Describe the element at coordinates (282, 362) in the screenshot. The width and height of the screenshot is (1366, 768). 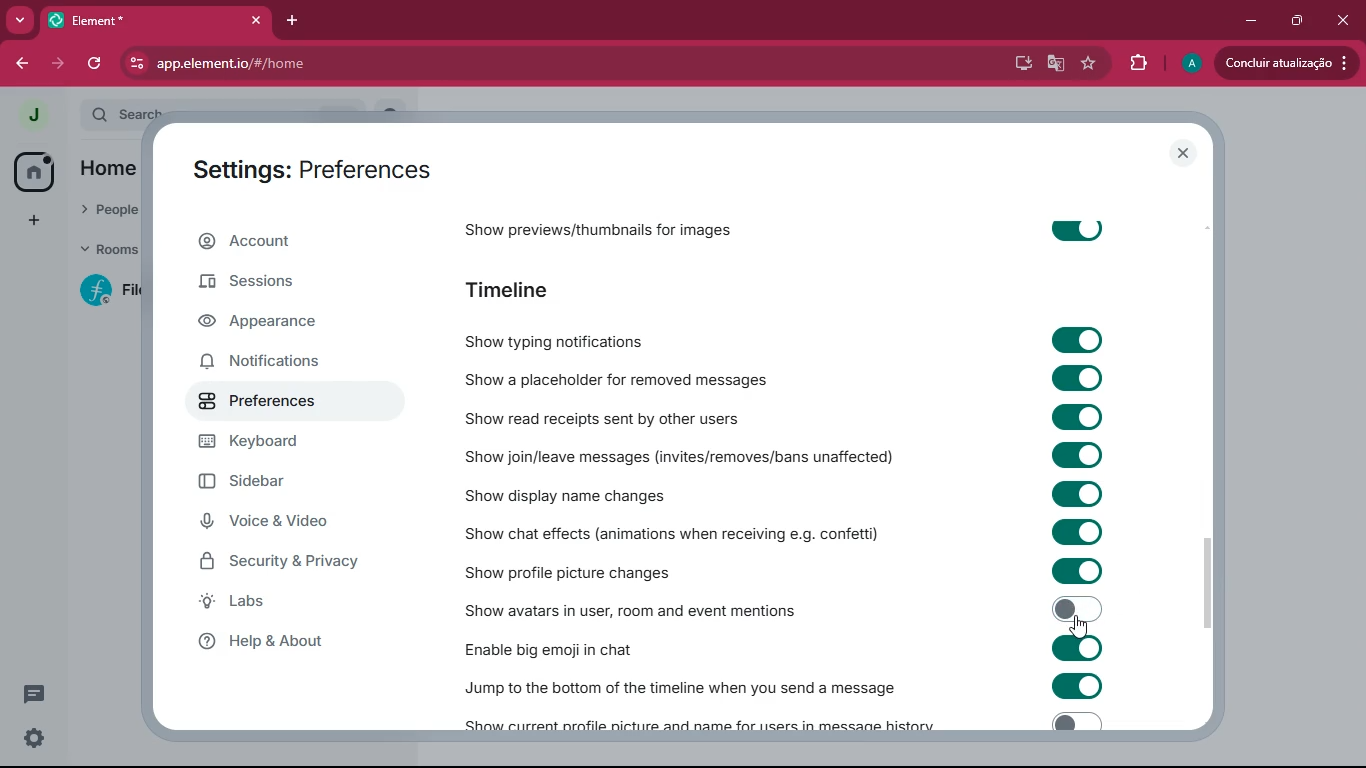
I see `notifications` at that location.